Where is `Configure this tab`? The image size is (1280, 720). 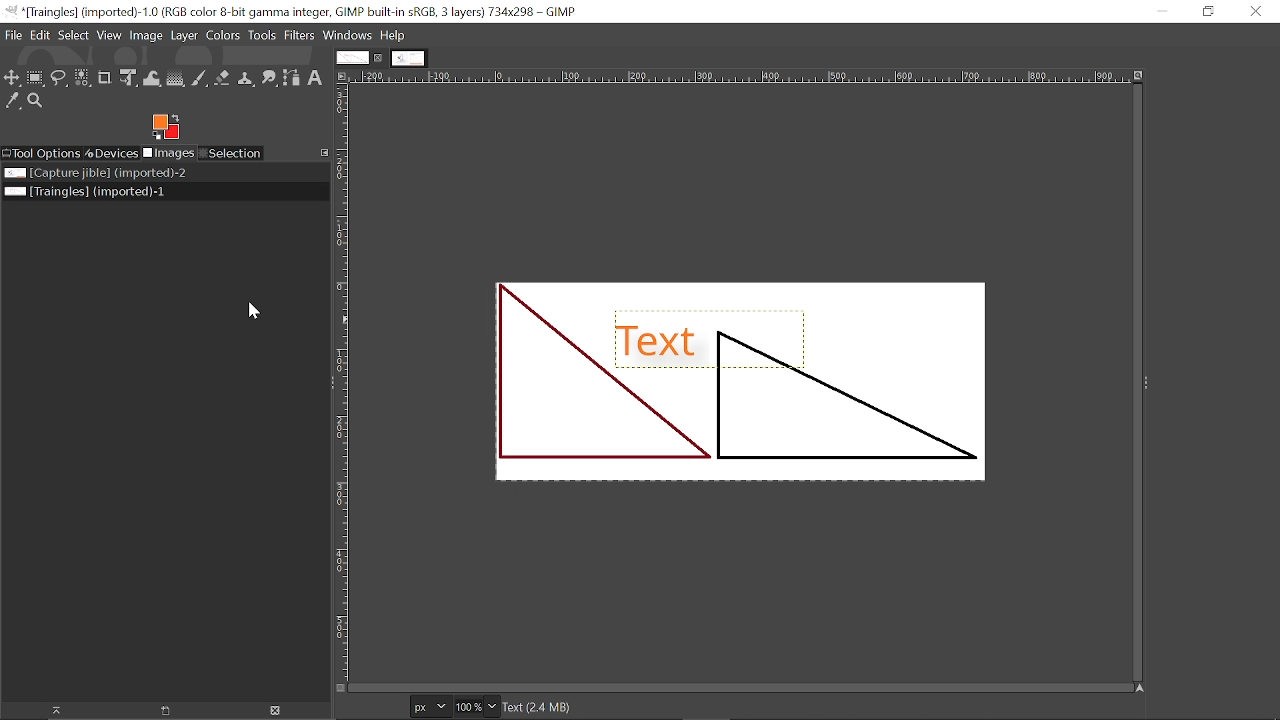
Configure this tab is located at coordinates (324, 152).